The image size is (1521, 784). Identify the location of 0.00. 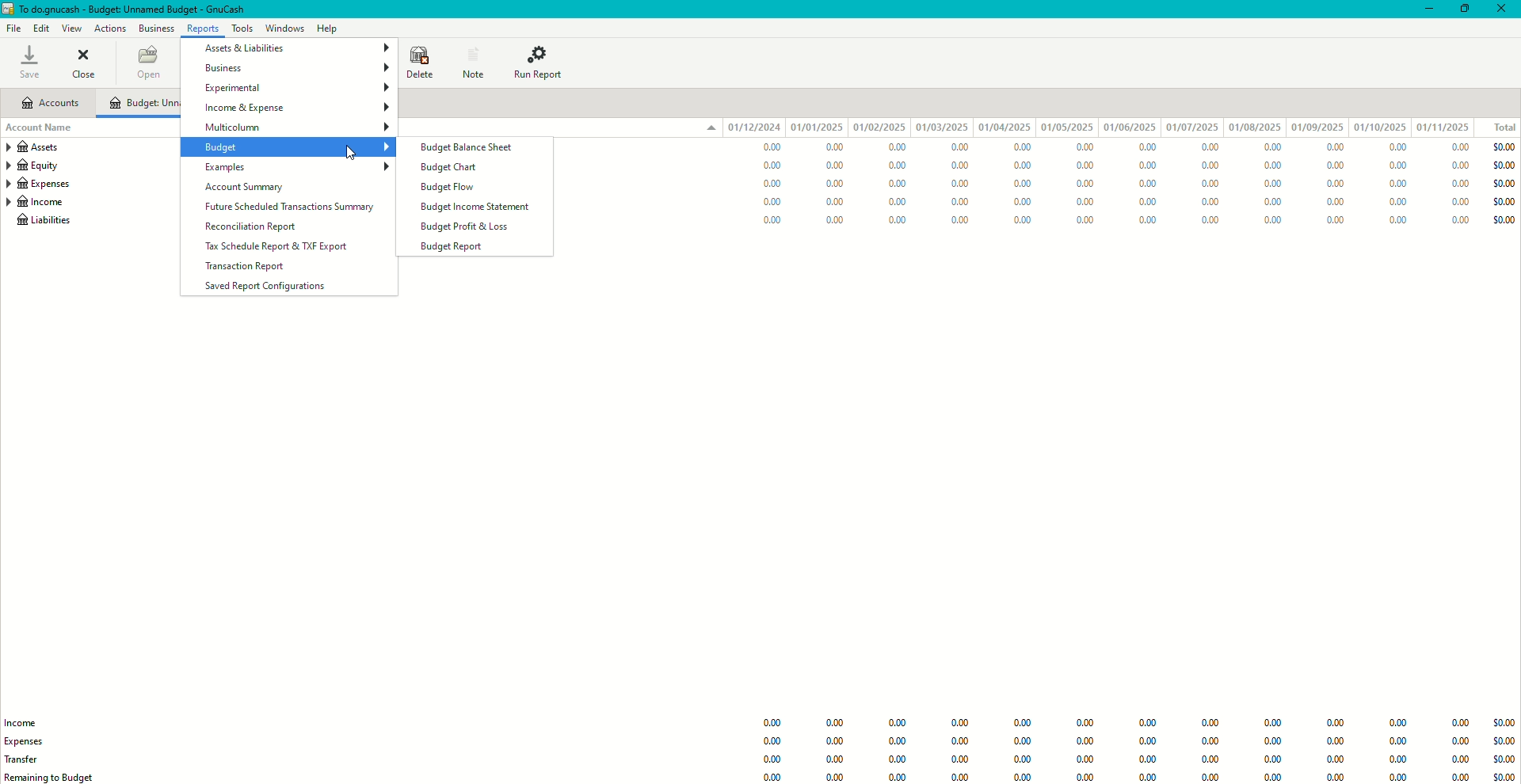
(1024, 759).